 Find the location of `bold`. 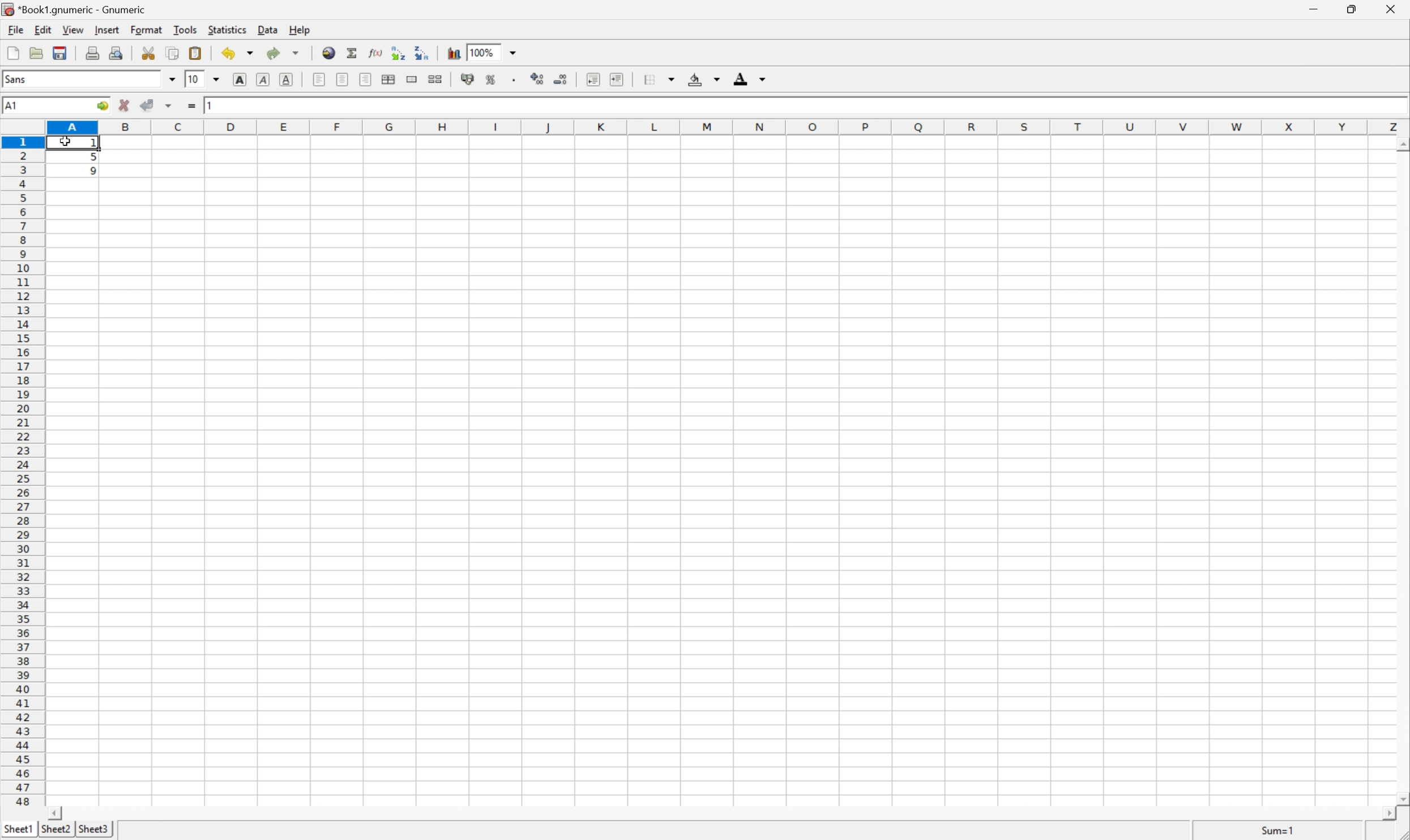

bold is located at coordinates (242, 80).